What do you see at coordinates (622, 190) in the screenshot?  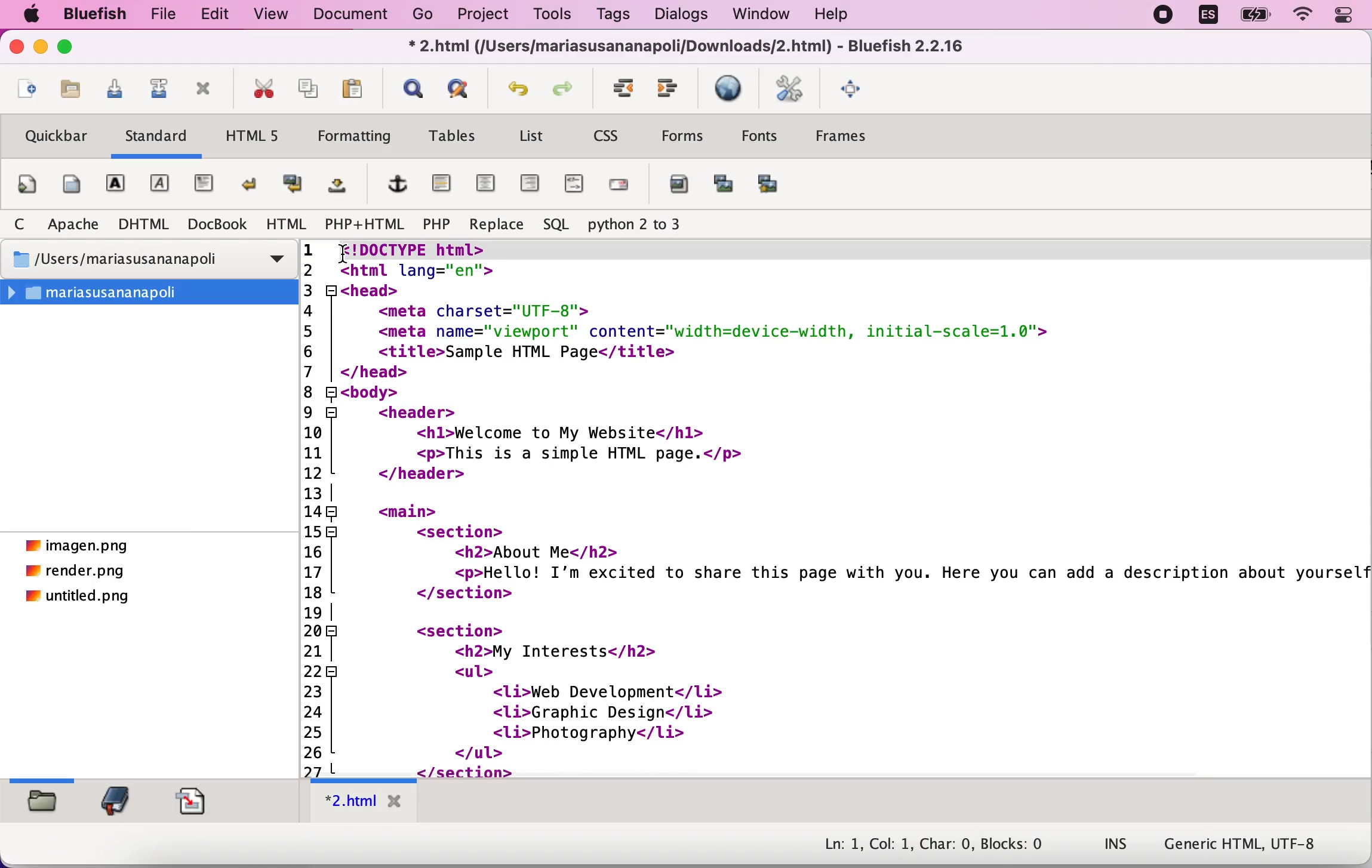 I see `email` at bounding box center [622, 190].